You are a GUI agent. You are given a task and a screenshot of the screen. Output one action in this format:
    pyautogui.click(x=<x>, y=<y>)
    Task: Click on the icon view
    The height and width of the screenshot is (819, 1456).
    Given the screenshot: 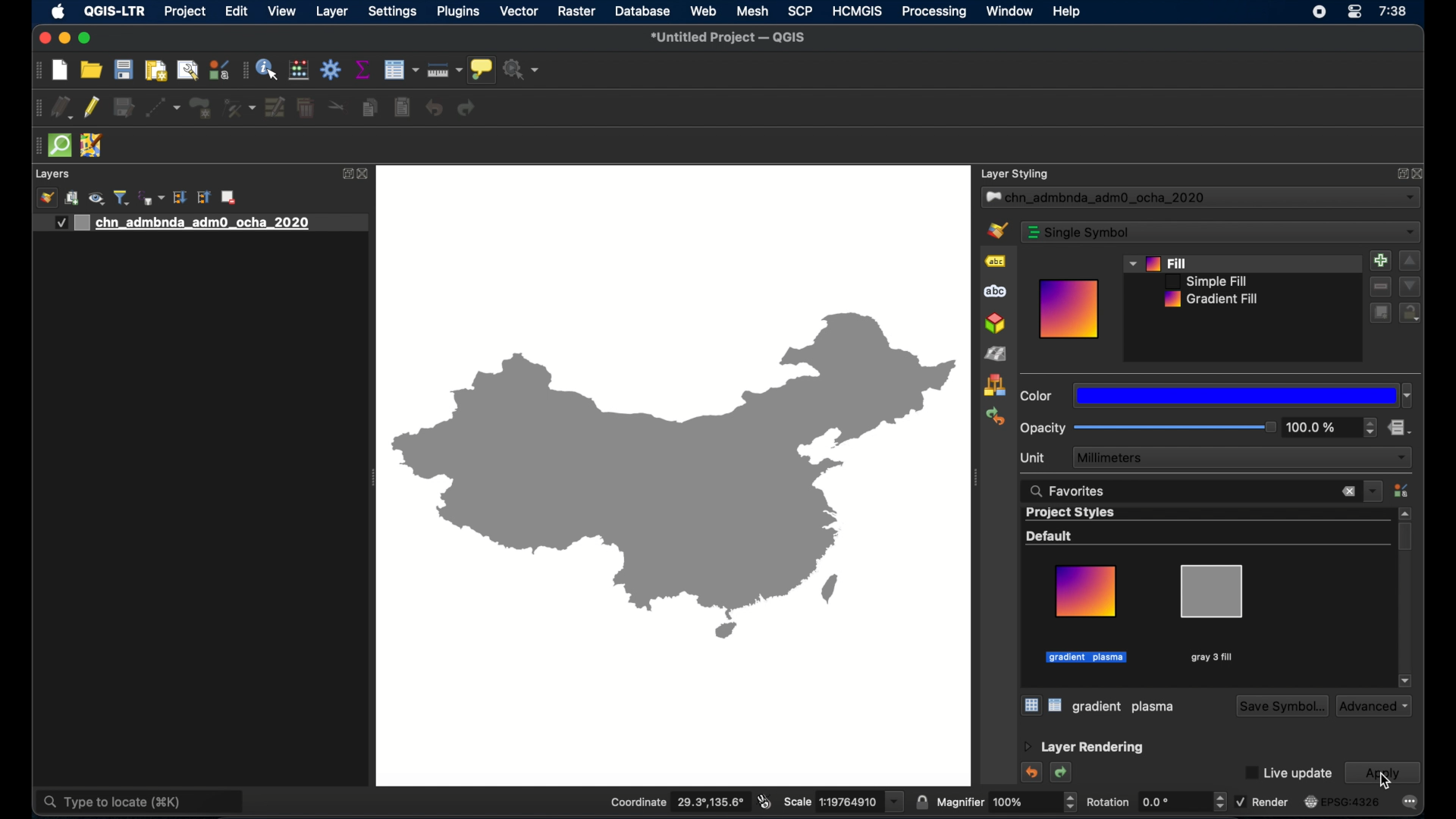 What is the action you would take?
    pyautogui.click(x=1031, y=704)
    